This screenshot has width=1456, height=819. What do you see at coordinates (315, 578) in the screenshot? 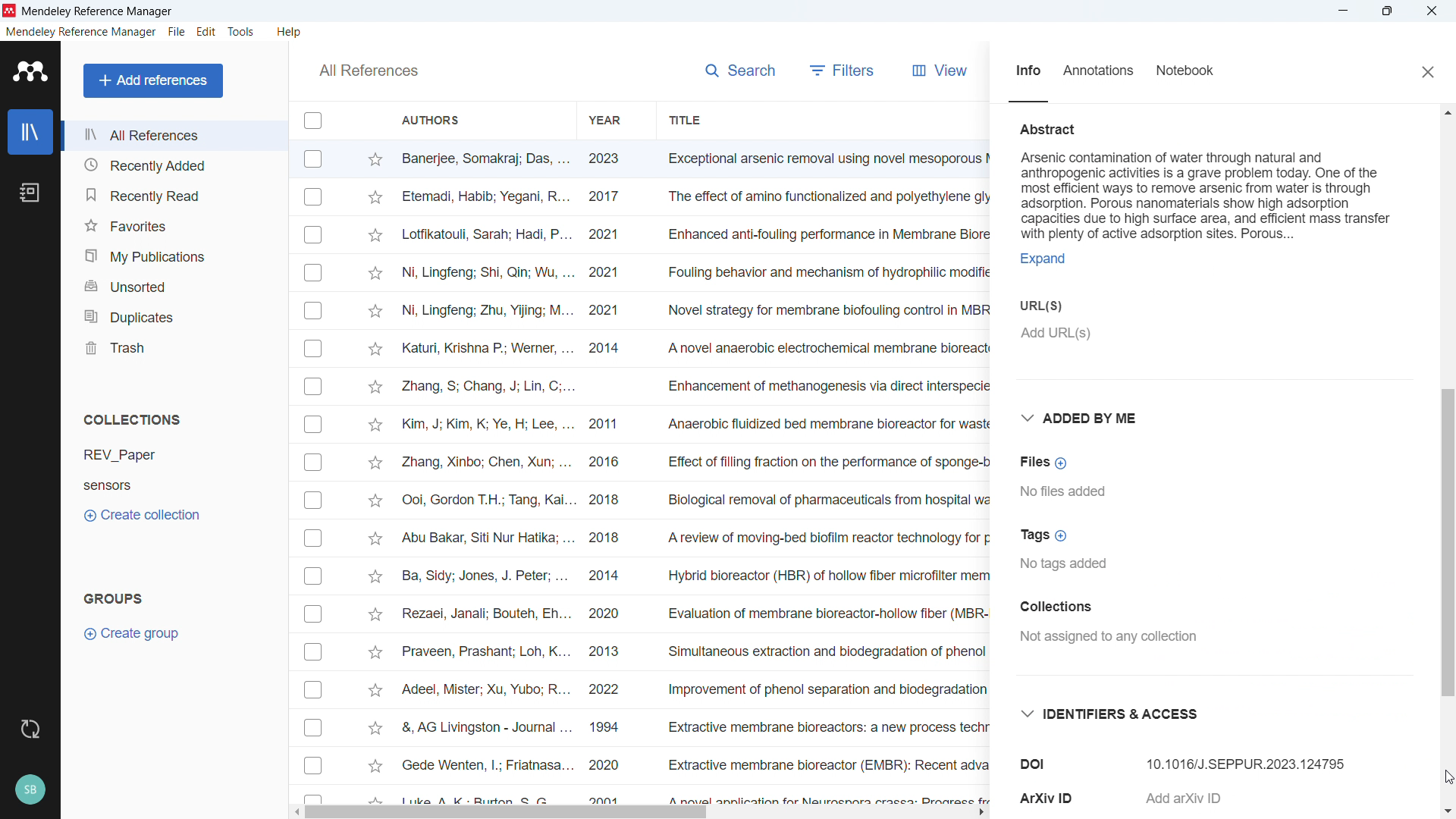
I see `click to select individual entry` at bounding box center [315, 578].